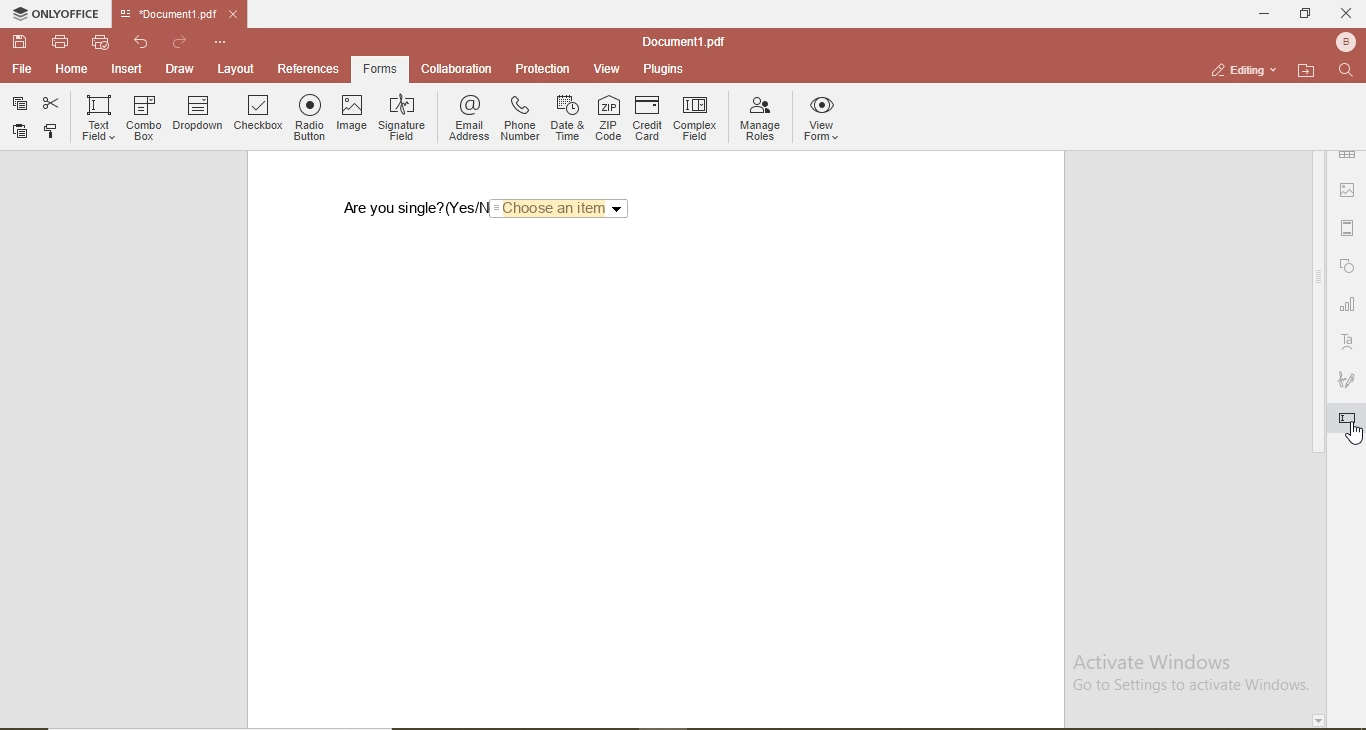  Describe the element at coordinates (1308, 16) in the screenshot. I see `restore` at that location.